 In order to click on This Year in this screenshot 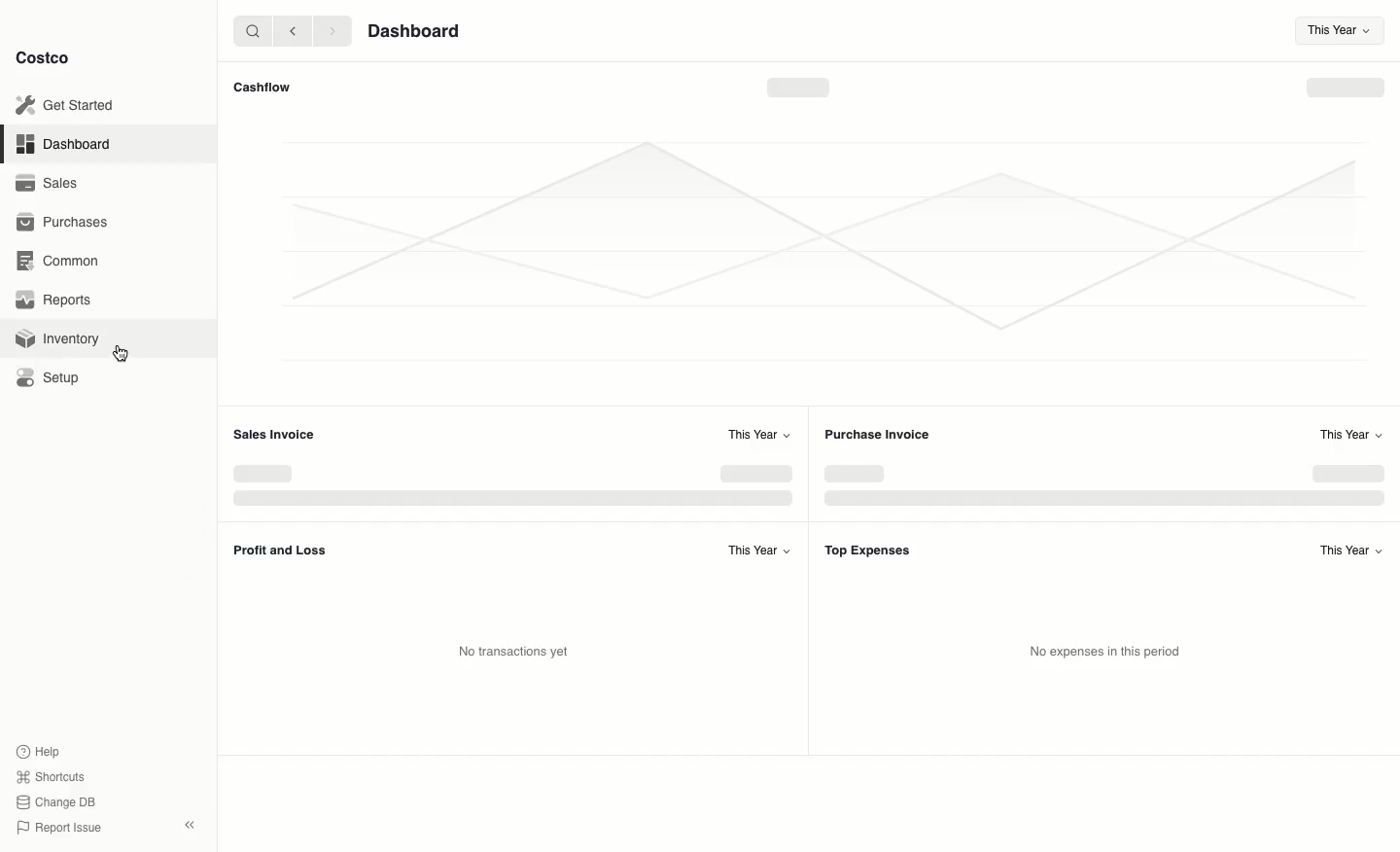, I will do `click(759, 436)`.